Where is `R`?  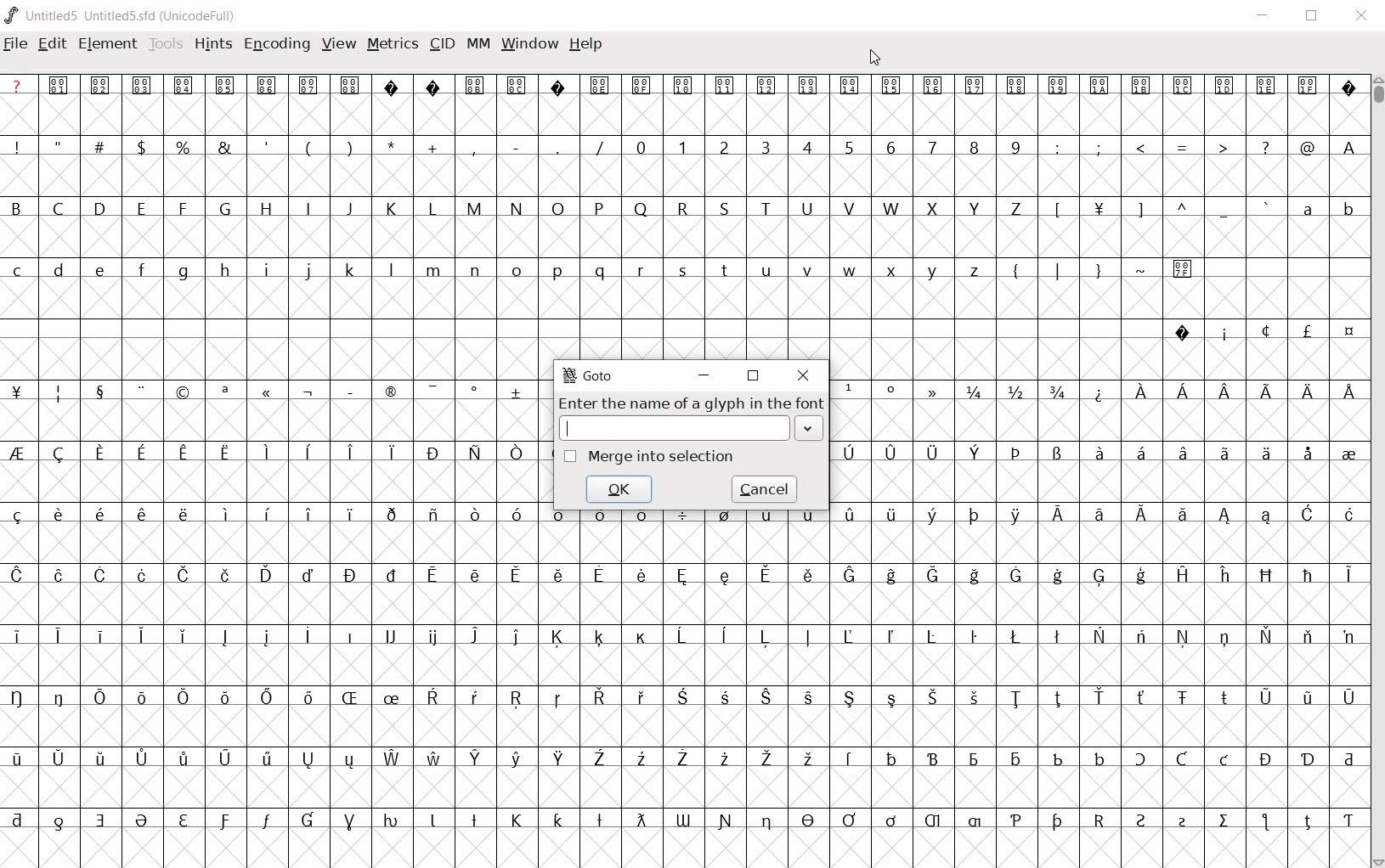
R is located at coordinates (685, 208).